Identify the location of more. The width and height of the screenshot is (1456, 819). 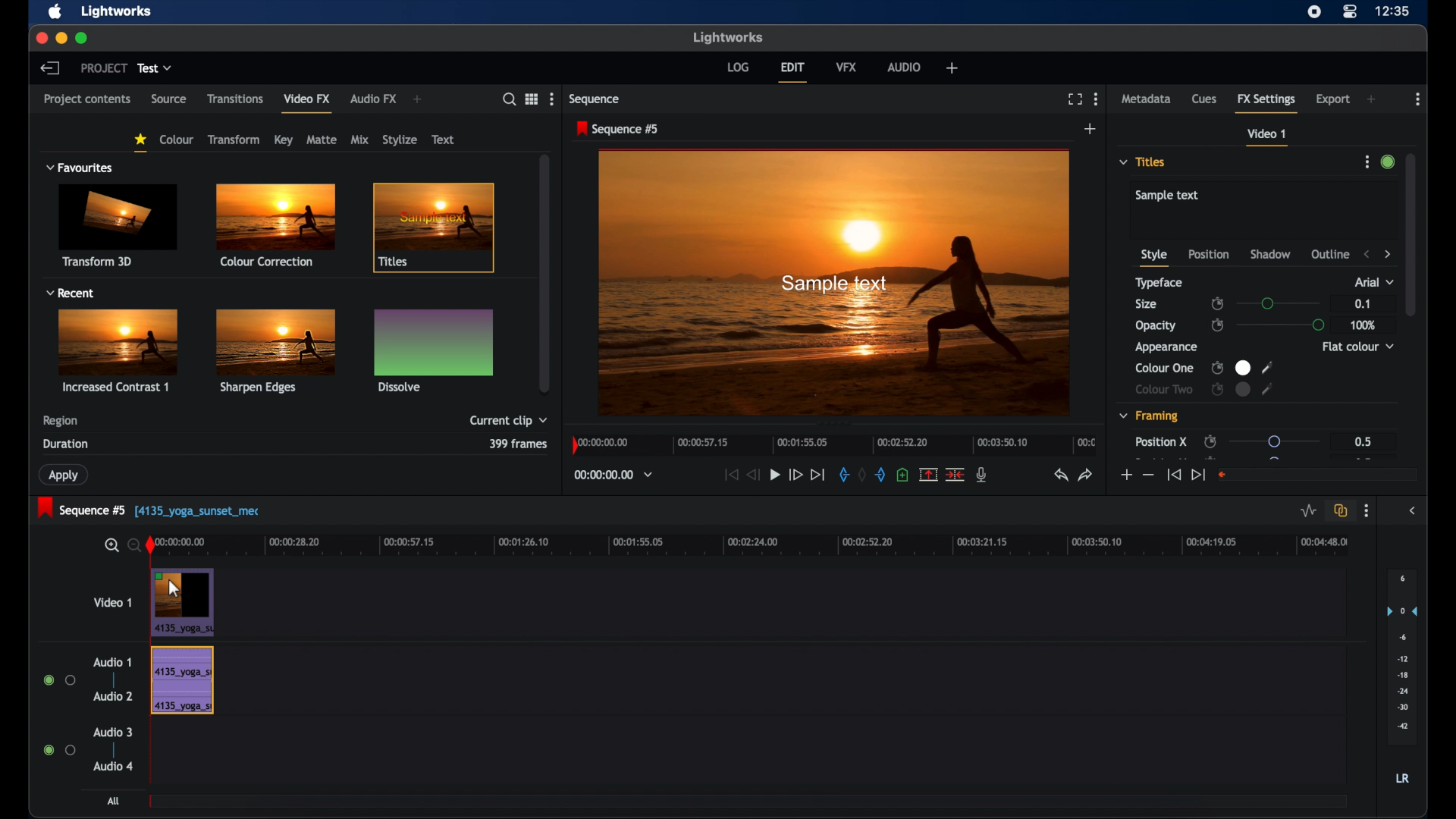
(1125, 477).